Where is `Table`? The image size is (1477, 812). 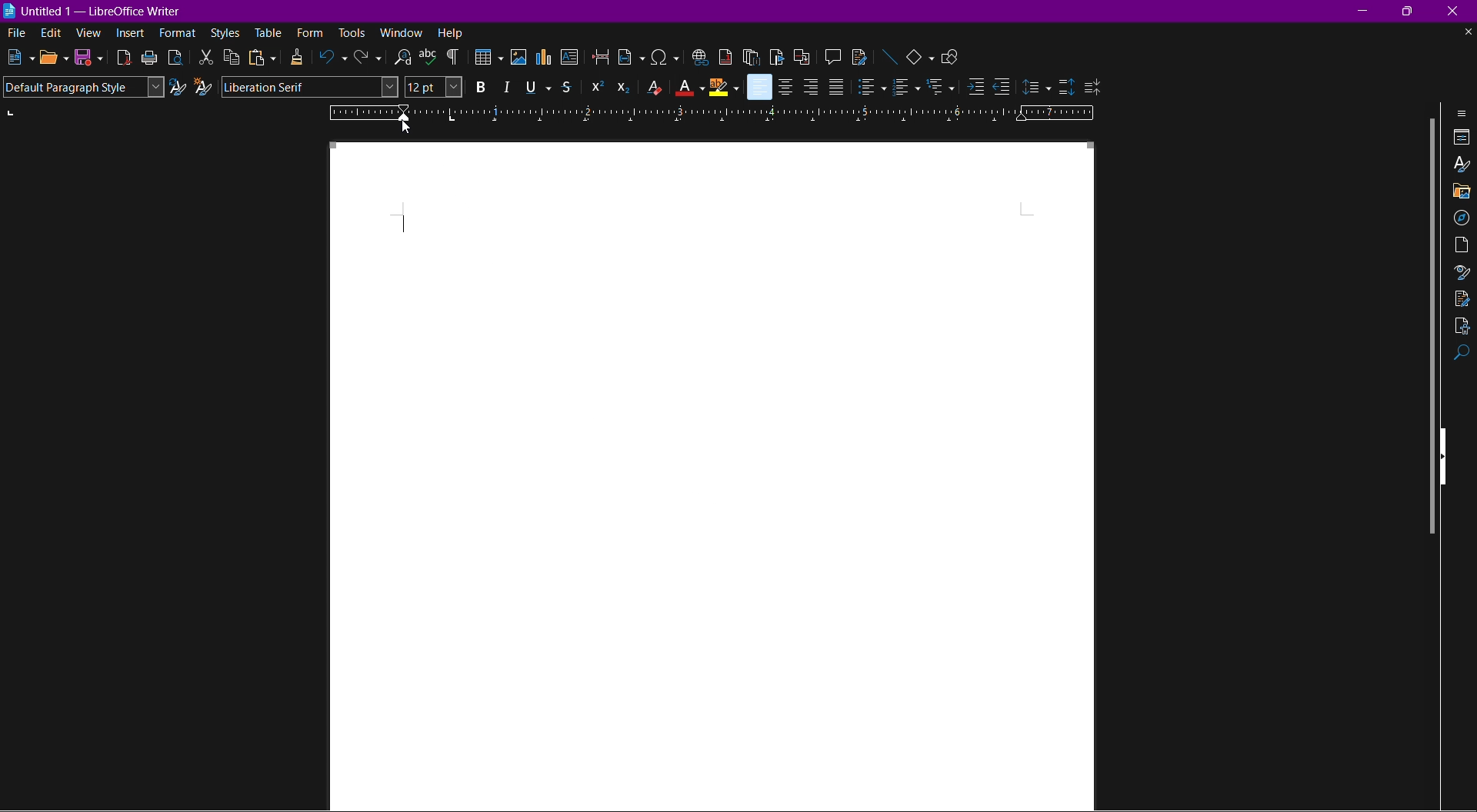 Table is located at coordinates (487, 58).